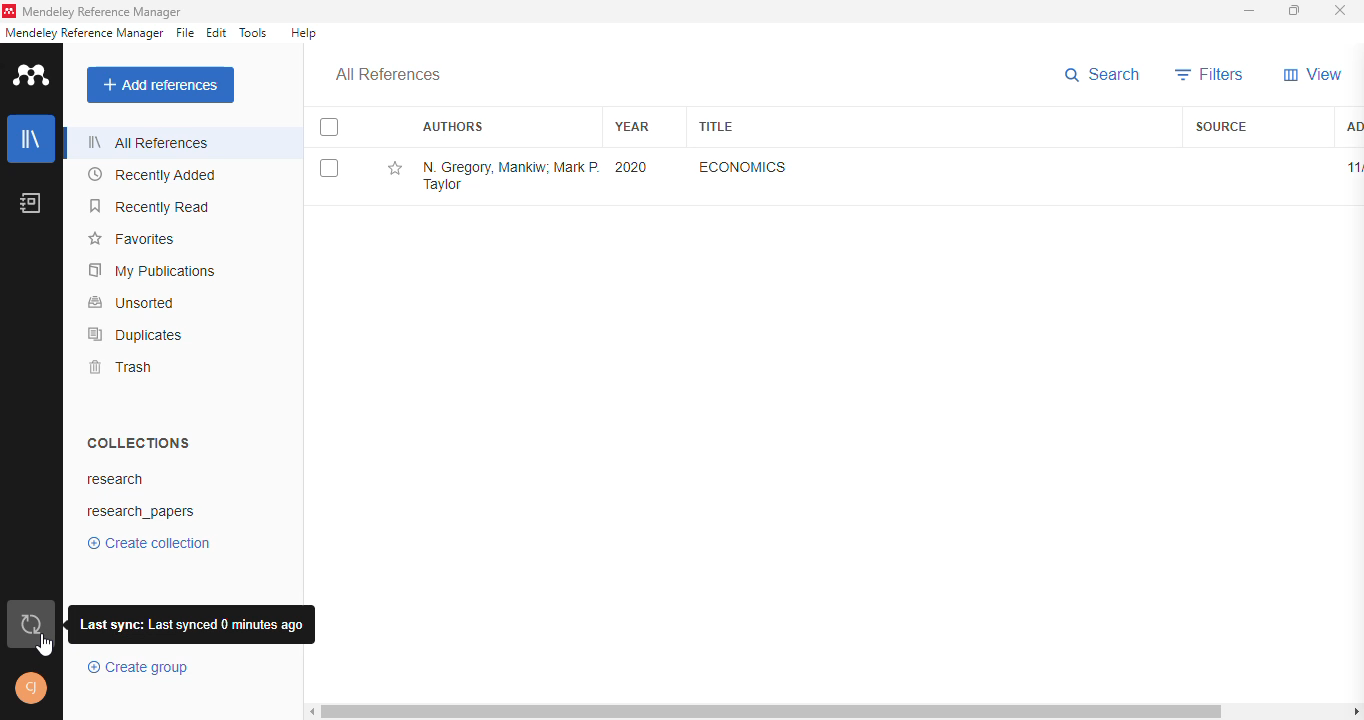 The height and width of the screenshot is (720, 1364). I want to click on trash, so click(121, 367).